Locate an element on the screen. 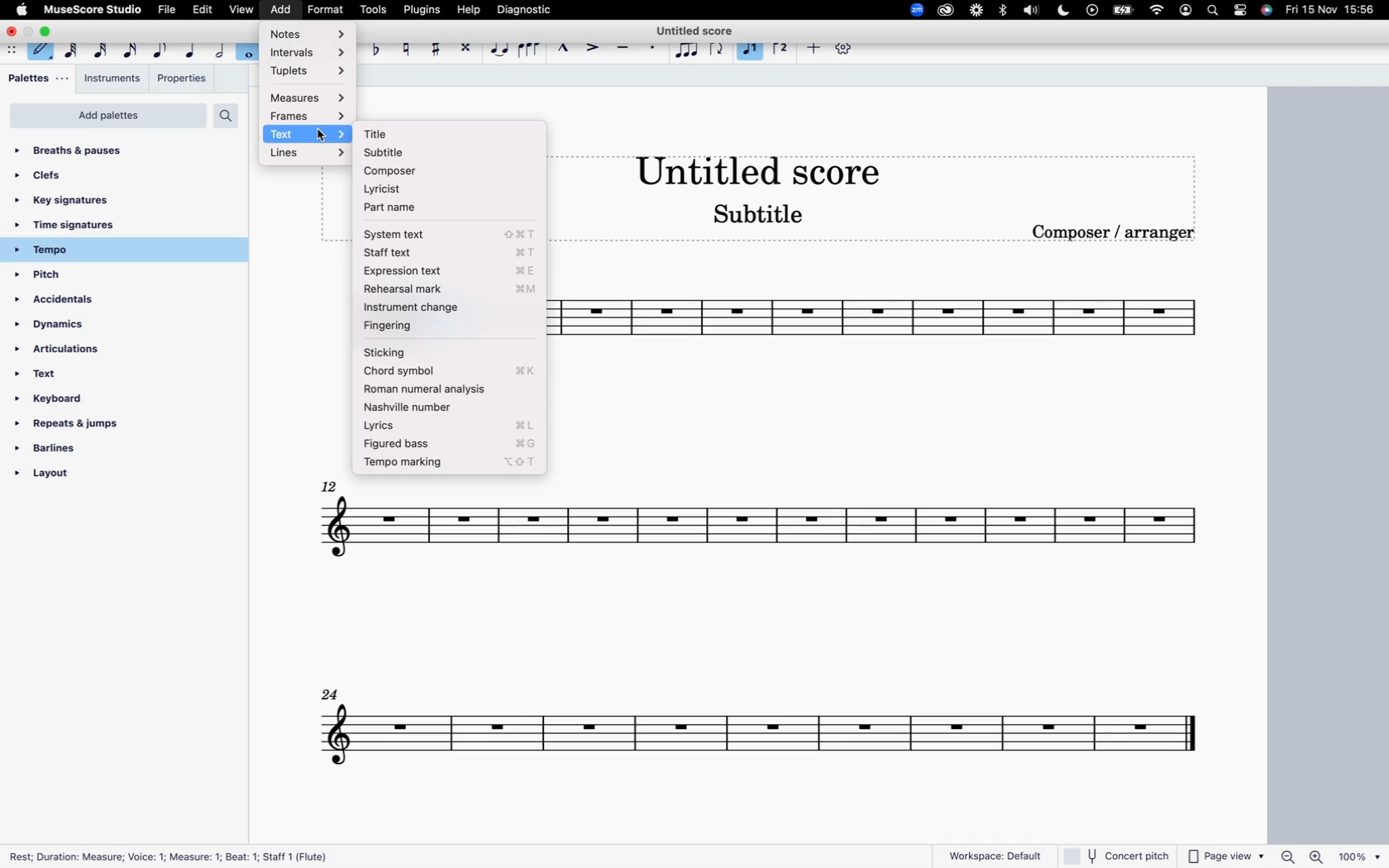  lines is located at coordinates (306, 154).